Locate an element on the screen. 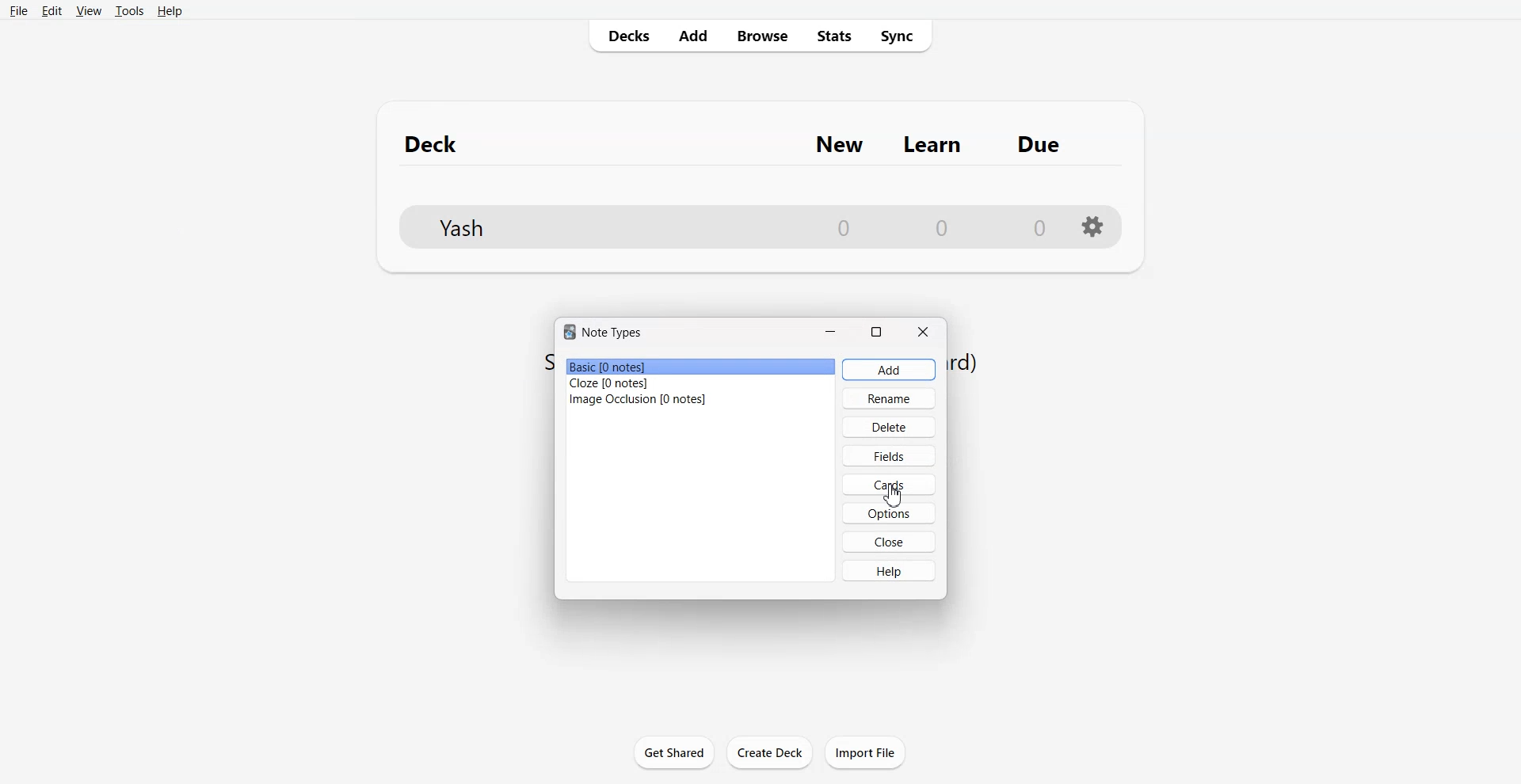  Due is located at coordinates (1039, 144).